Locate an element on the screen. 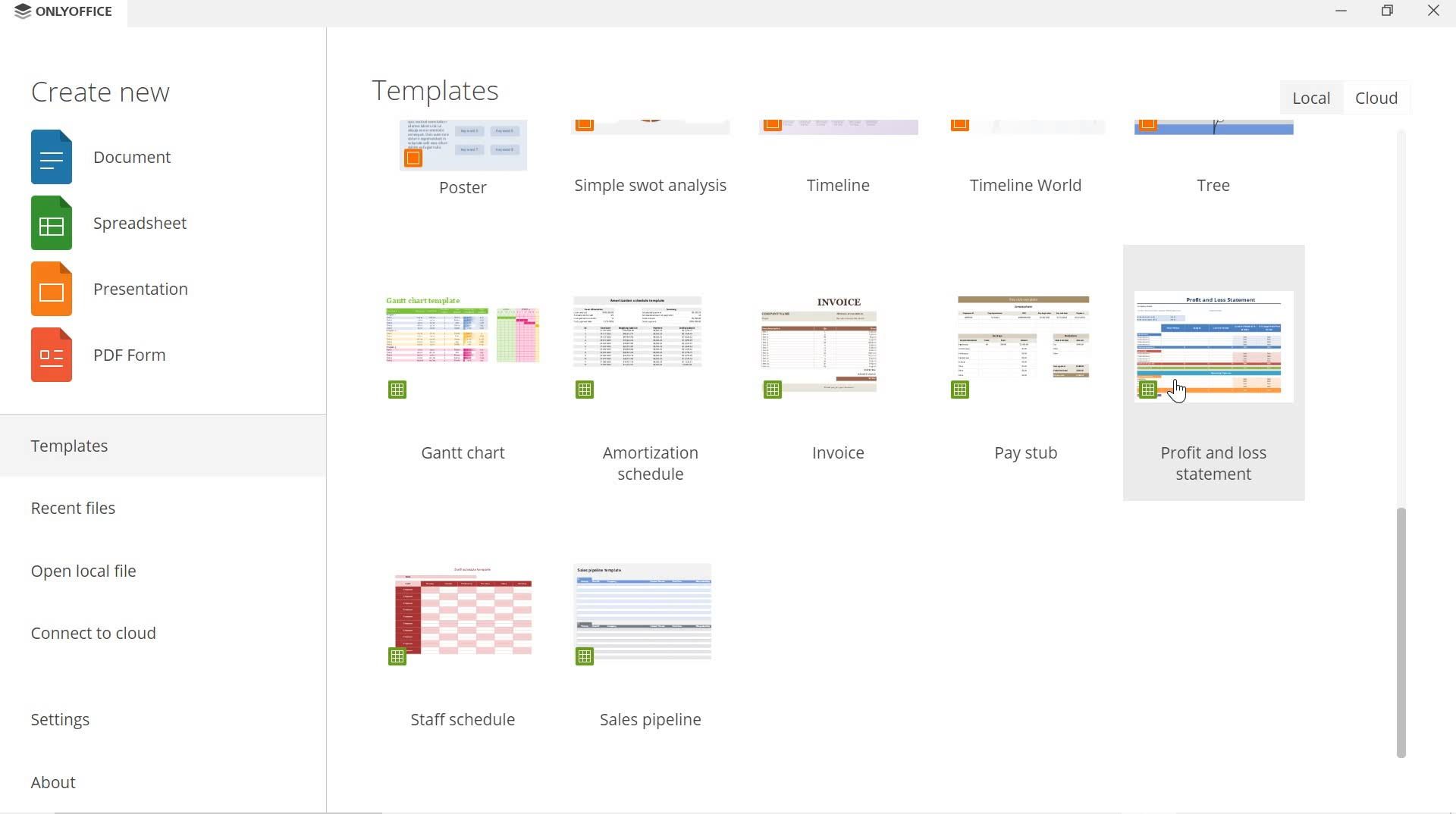 This screenshot has width=1456, height=814. CREATE NEW is located at coordinates (101, 91).